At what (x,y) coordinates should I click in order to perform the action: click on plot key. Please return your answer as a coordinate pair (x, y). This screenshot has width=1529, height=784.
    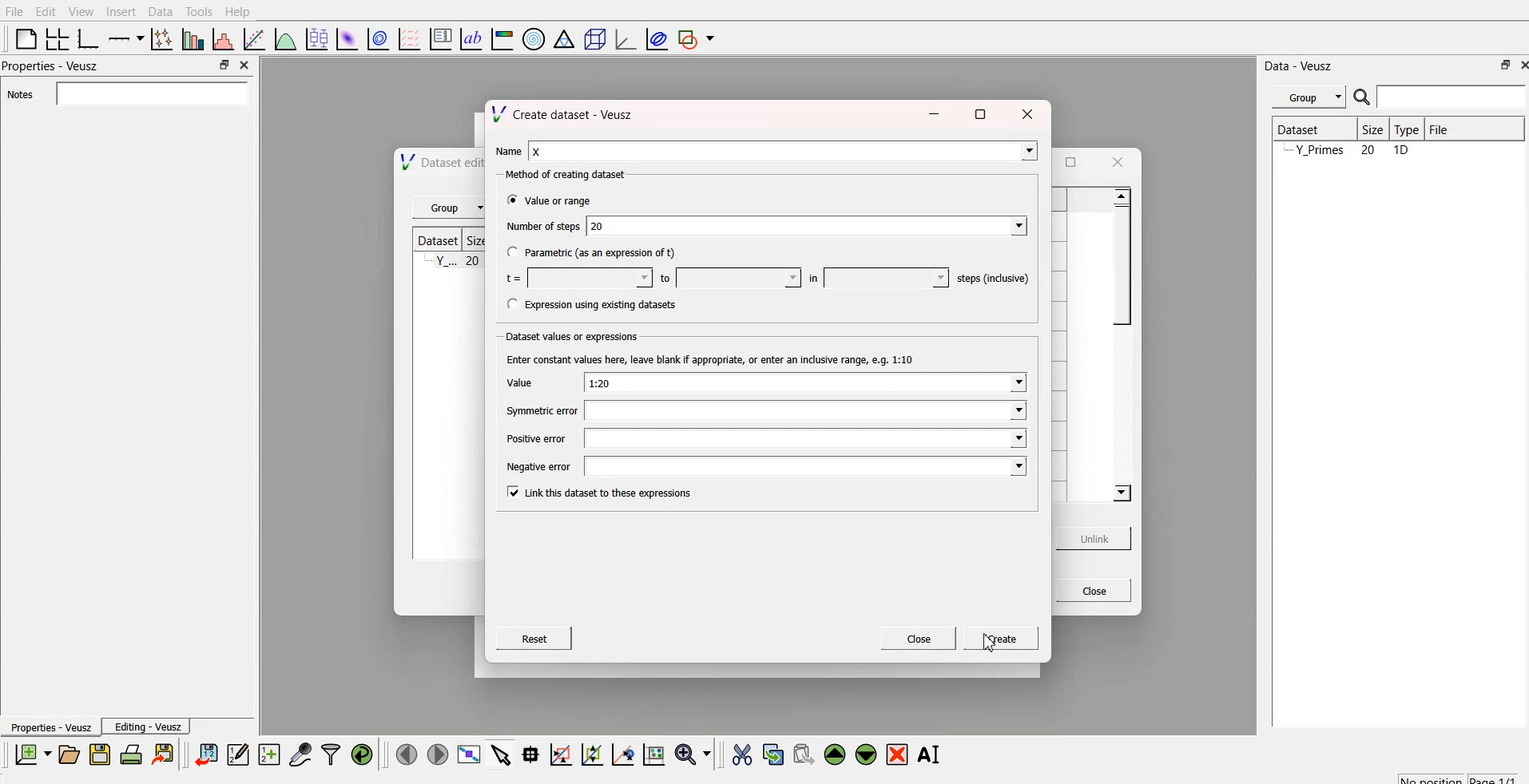
    Looking at the image, I should click on (441, 37).